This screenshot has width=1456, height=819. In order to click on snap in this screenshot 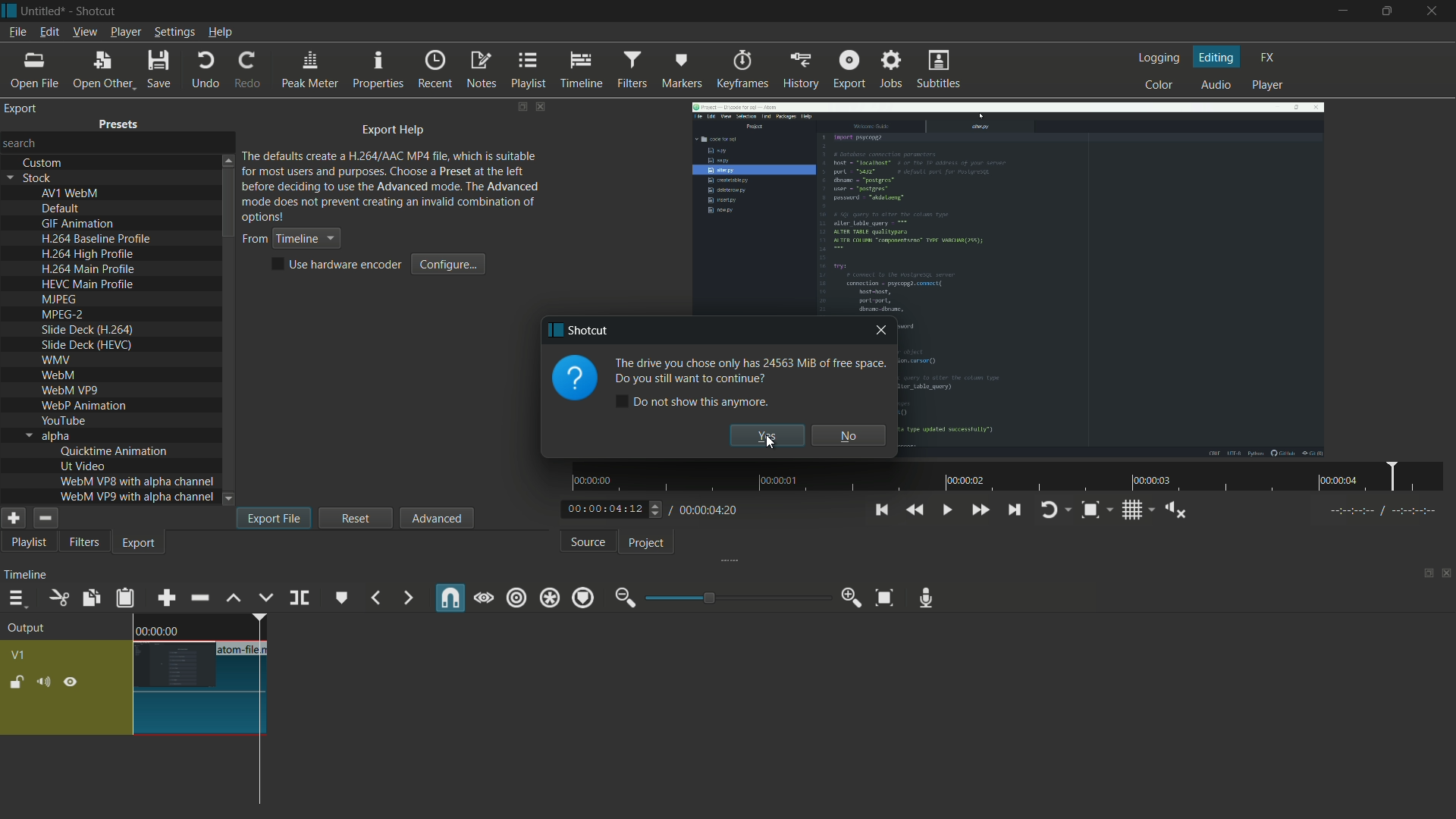, I will do `click(451, 598)`.